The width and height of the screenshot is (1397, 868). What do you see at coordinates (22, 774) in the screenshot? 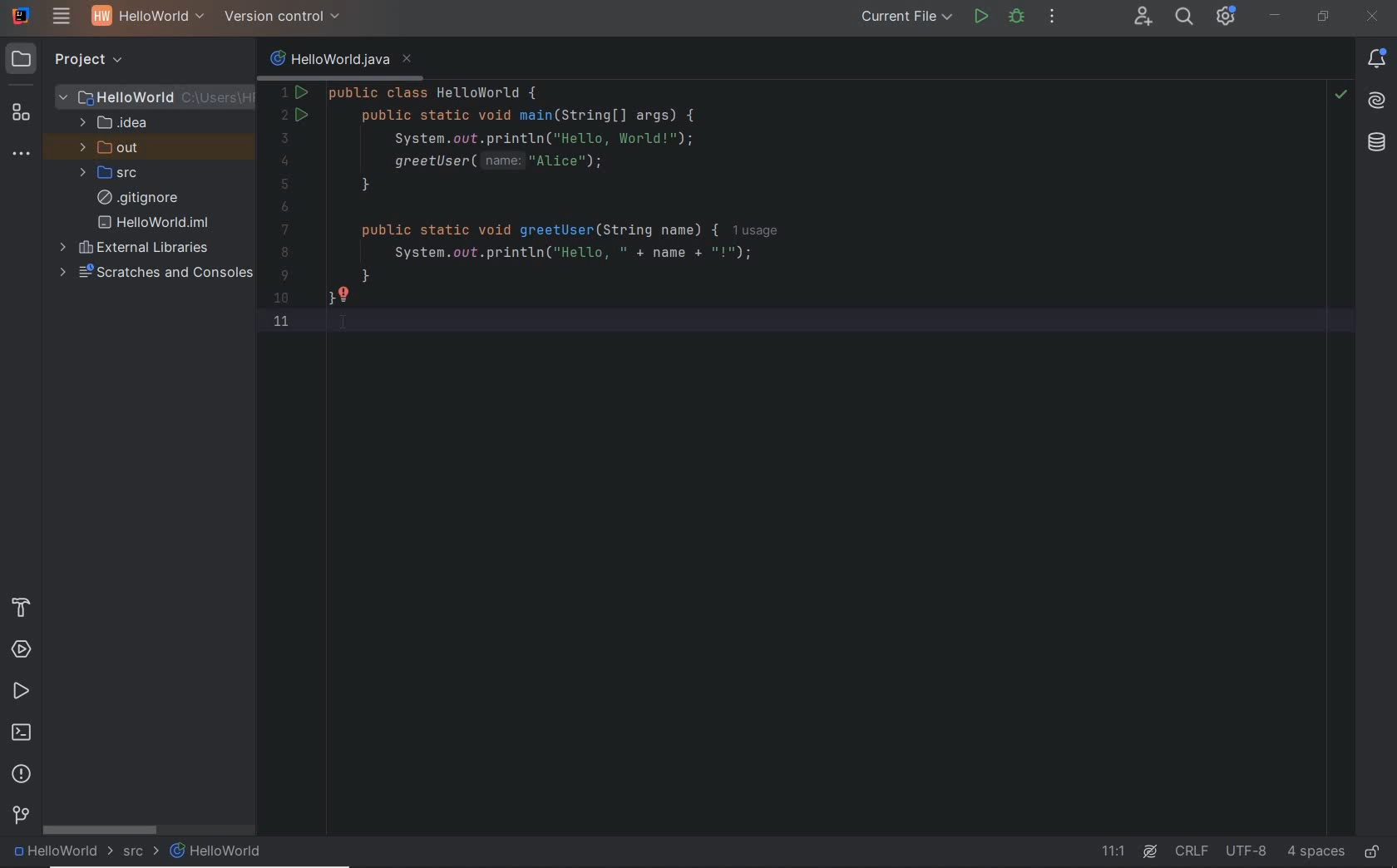
I see `problems` at bounding box center [22, 774].